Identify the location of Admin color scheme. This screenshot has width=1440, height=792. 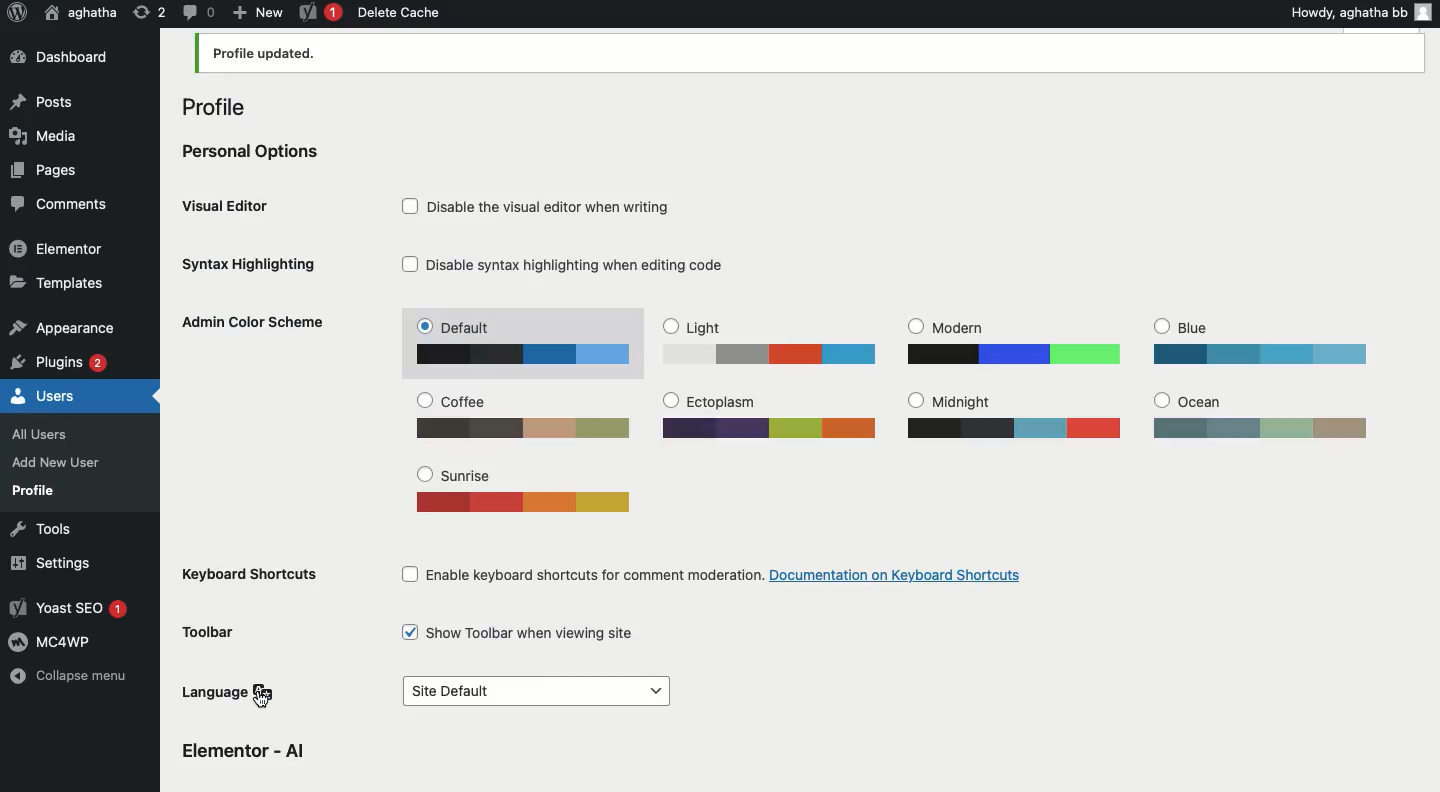
(257, 322).